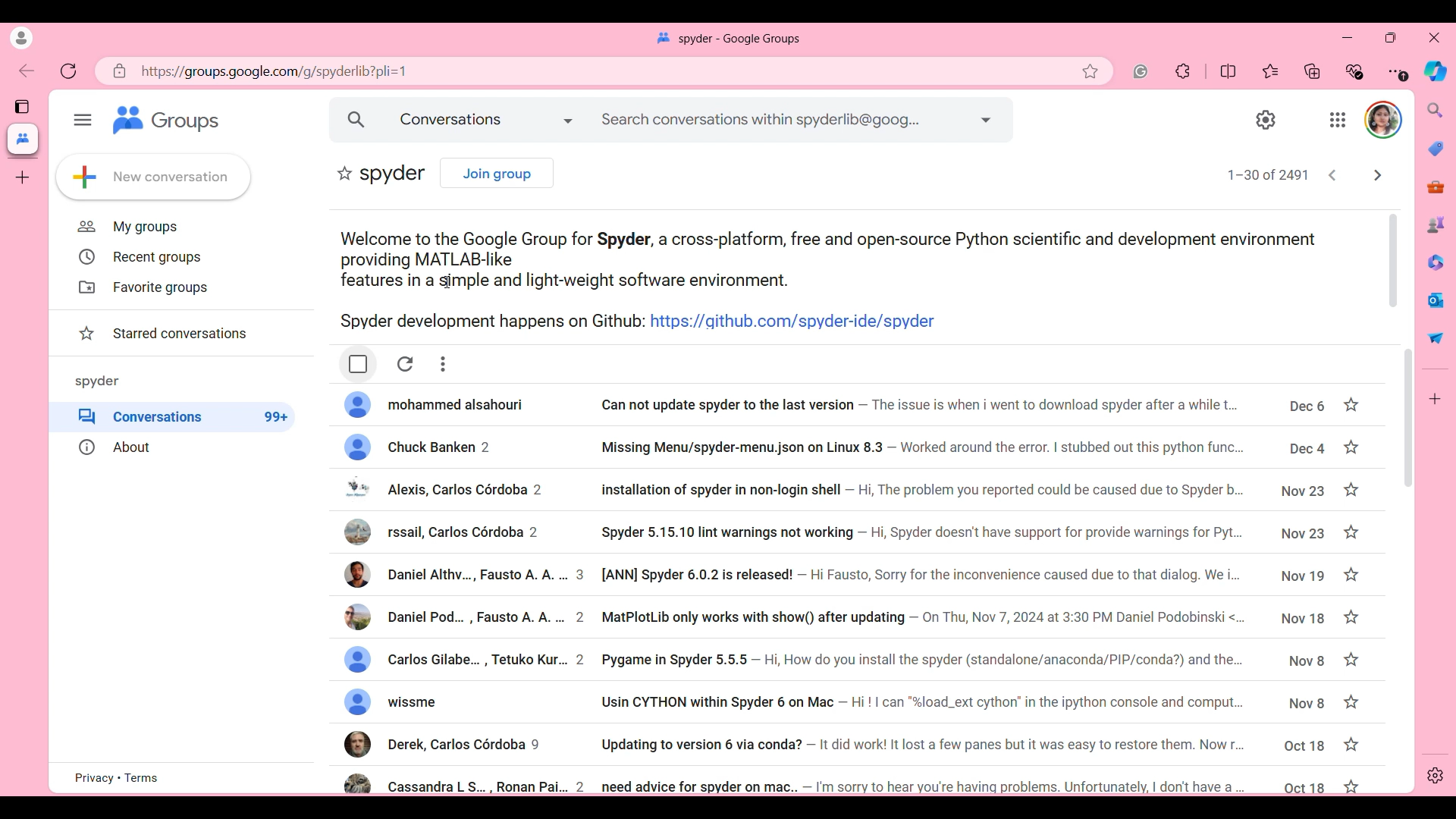 Image resolution: width=1456 pixels, height=819 pixels. Describe the element at coordinates (359, 364) in the screenshot. I see `Select all` at that location.